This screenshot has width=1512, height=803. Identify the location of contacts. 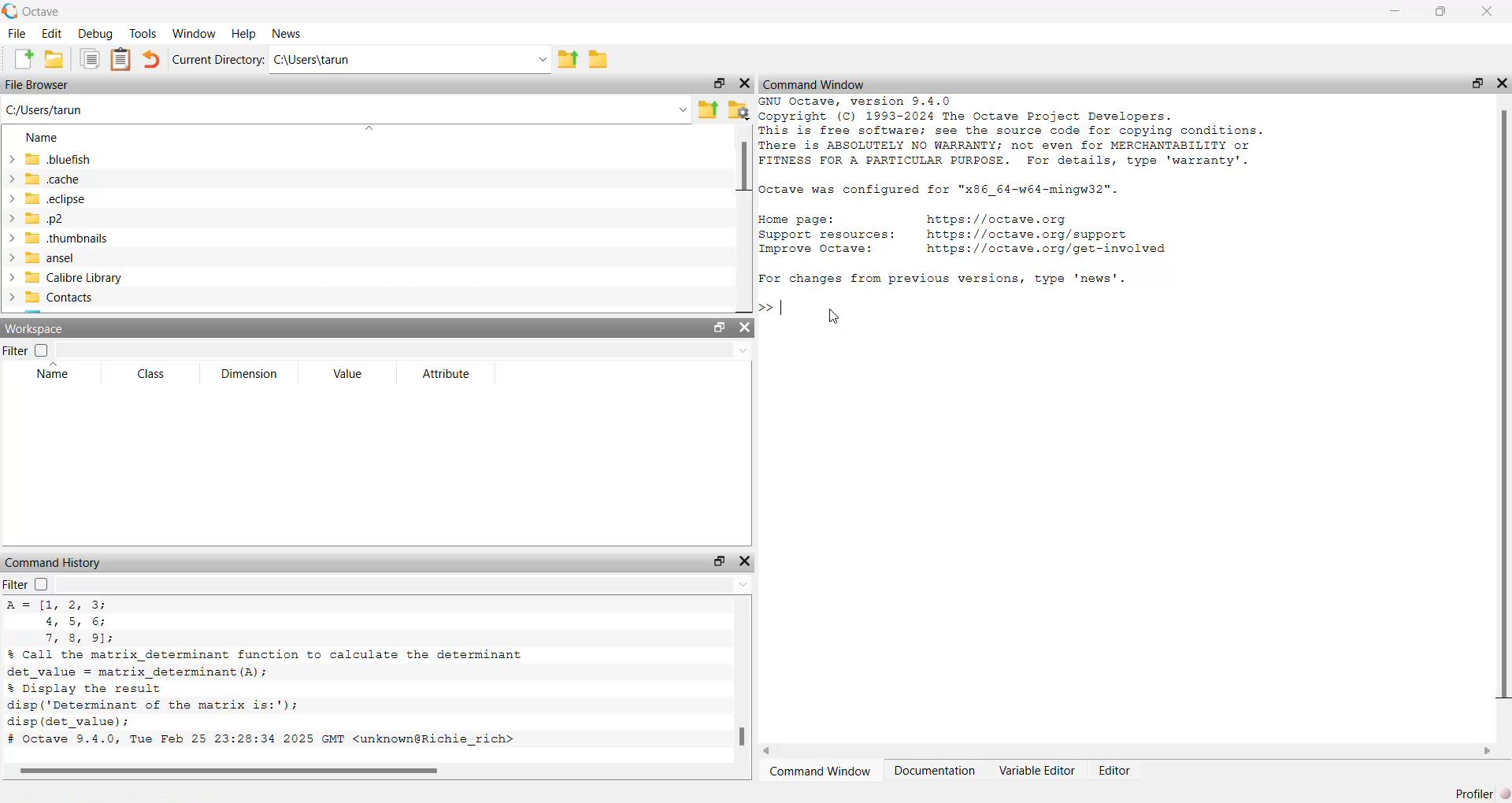
(54, 298).